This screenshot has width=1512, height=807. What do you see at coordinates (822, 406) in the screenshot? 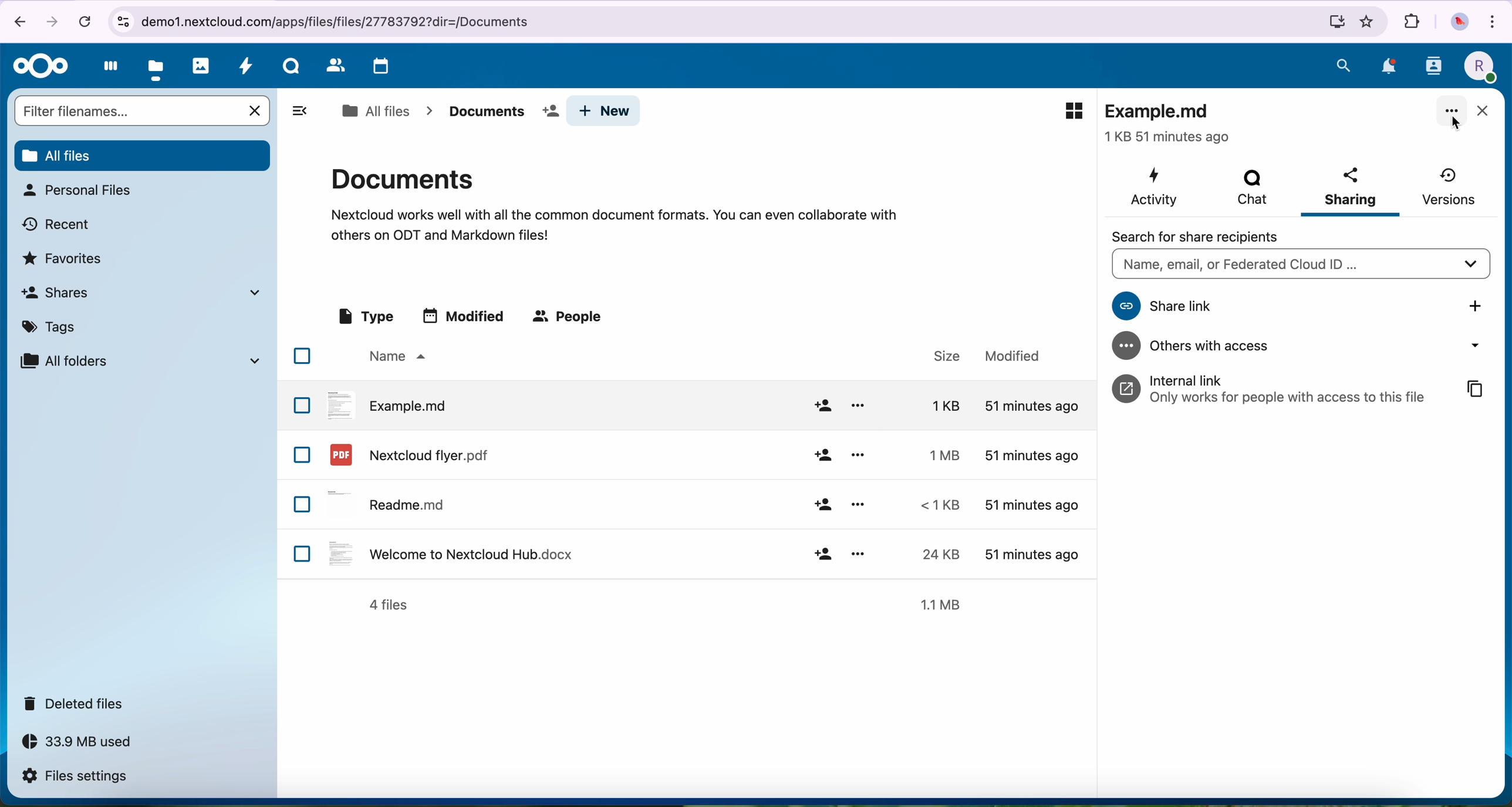
I see `add` at bounding box center [822, 406].